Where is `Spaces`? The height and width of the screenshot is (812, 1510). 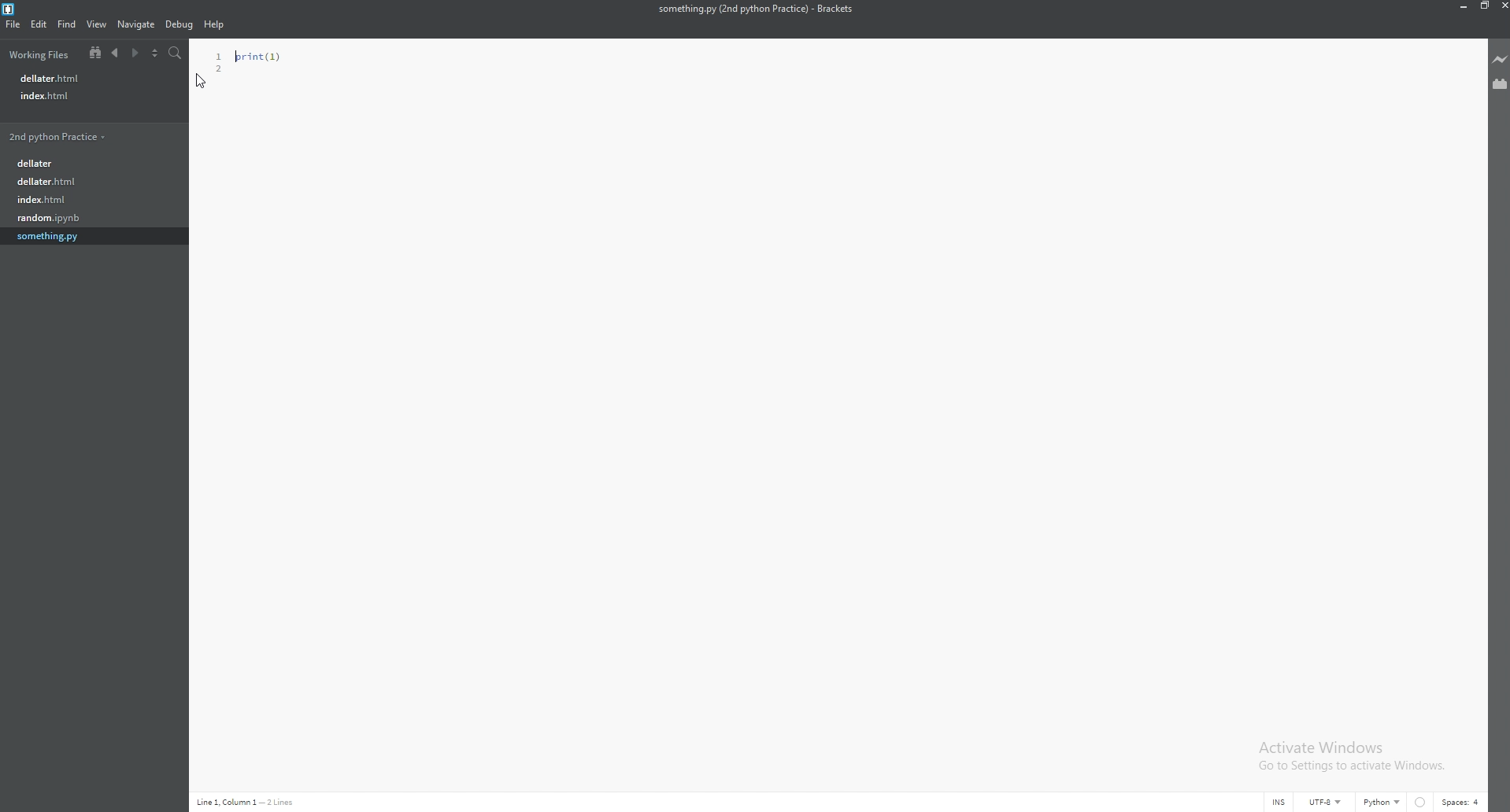
Spaces is located at coordinates (1463, 804).